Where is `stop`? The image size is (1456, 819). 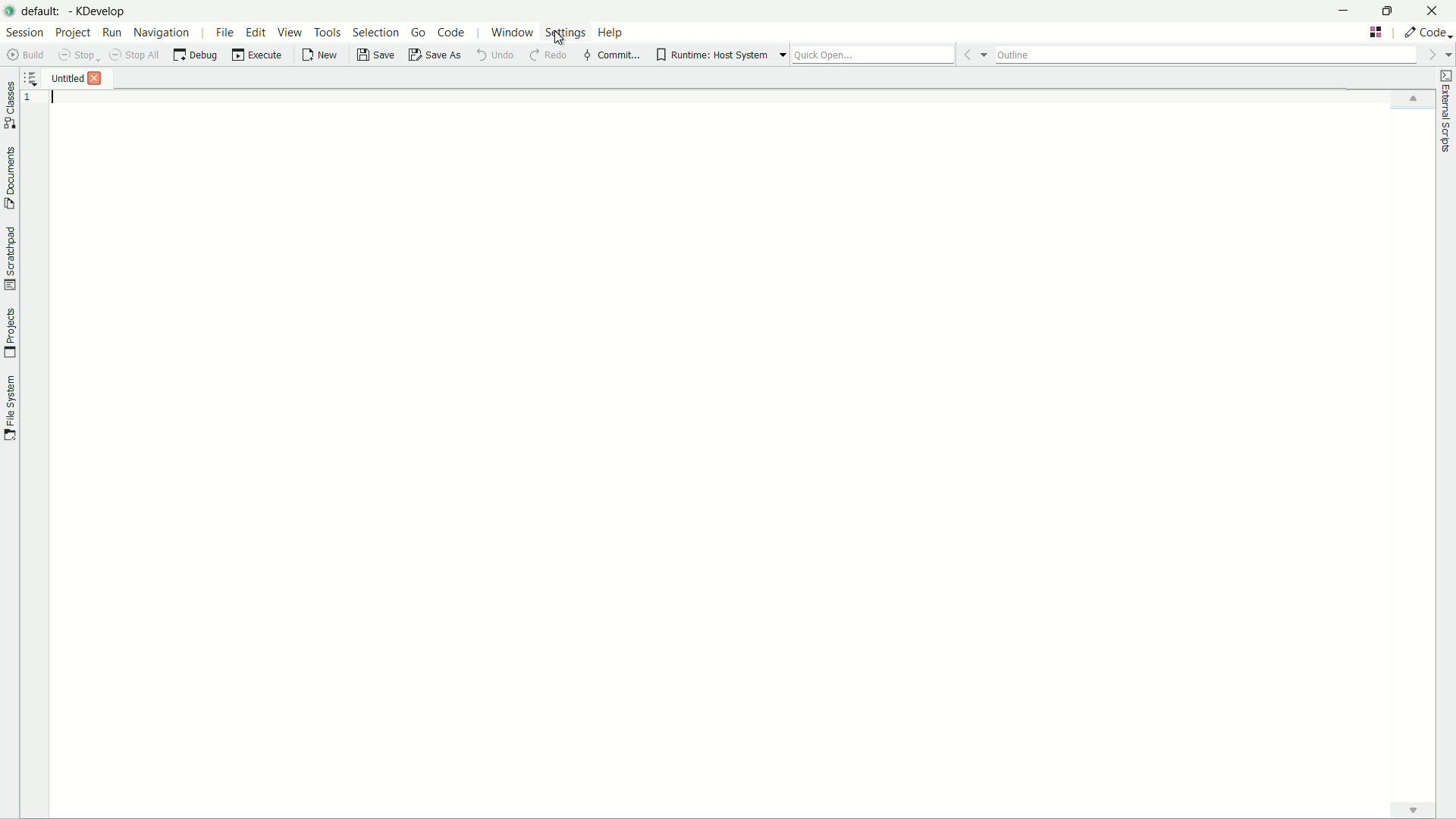
stop is located at coordinates (77, 55).